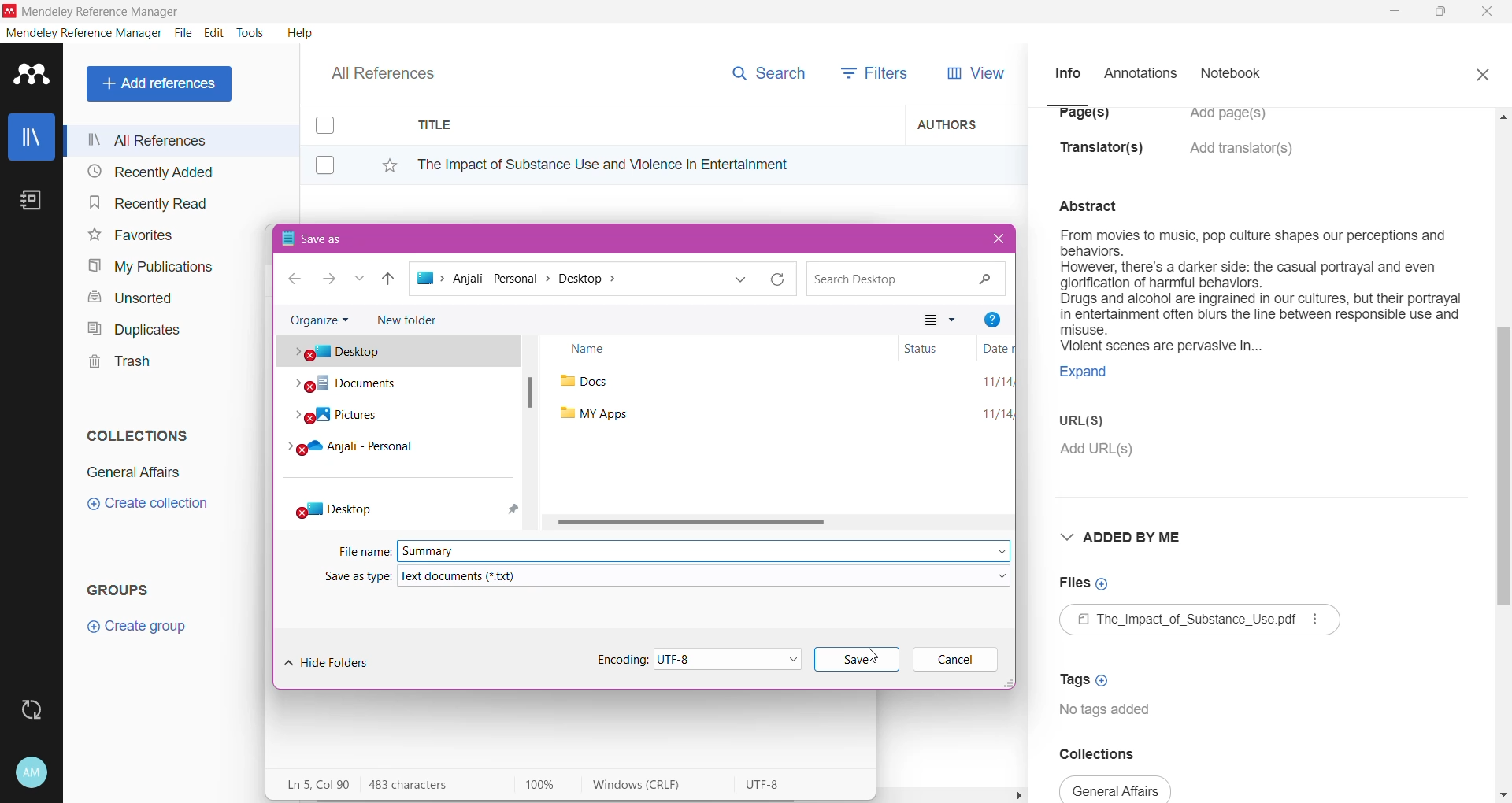 This screenshot has width=1512, height=803. I want to click on Recently Added, so click(148, 172).